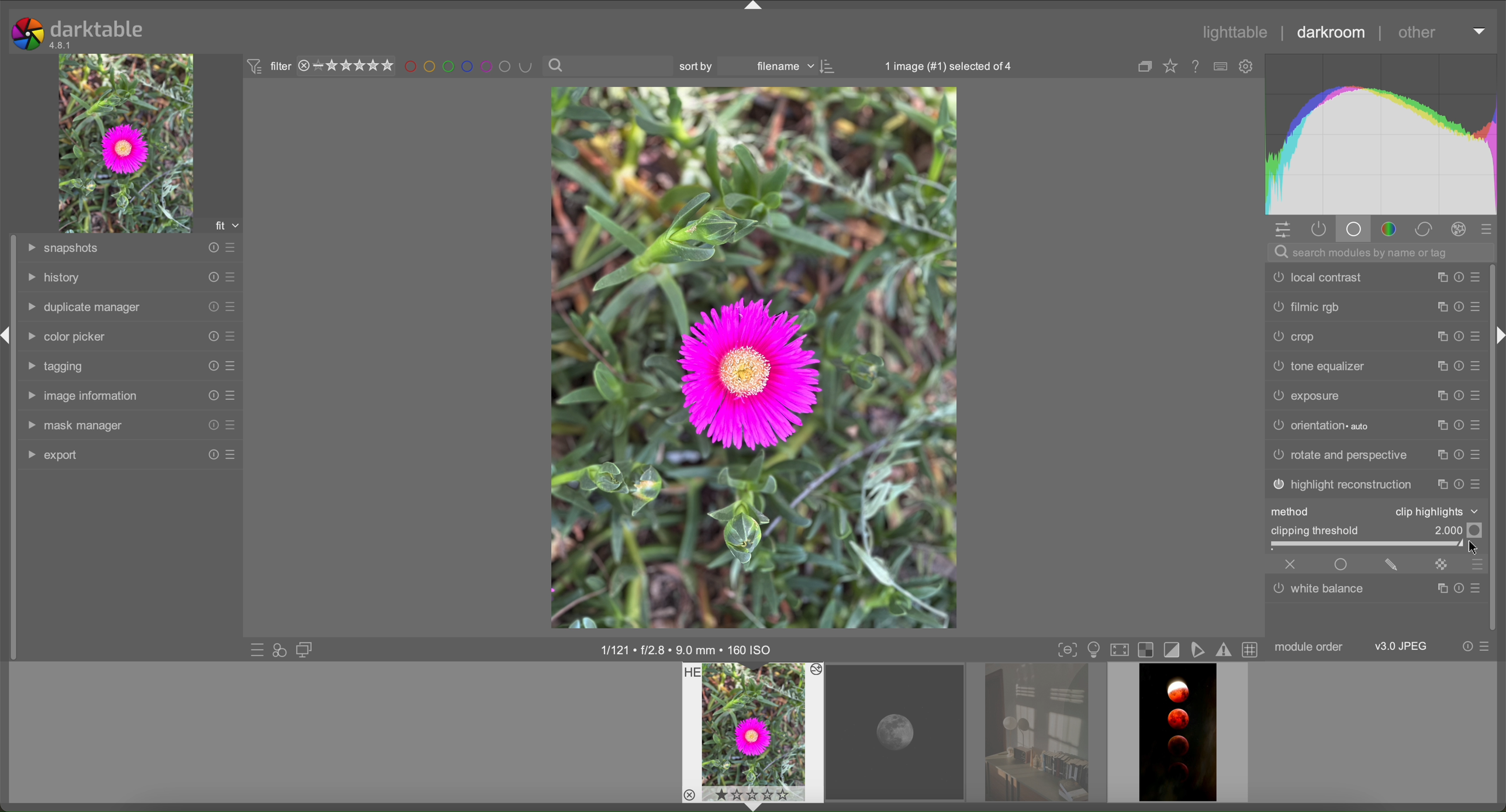 Image resolution: width=1506 pixels, height=812 pixels. I want to click on darktable, so click(98, 29).